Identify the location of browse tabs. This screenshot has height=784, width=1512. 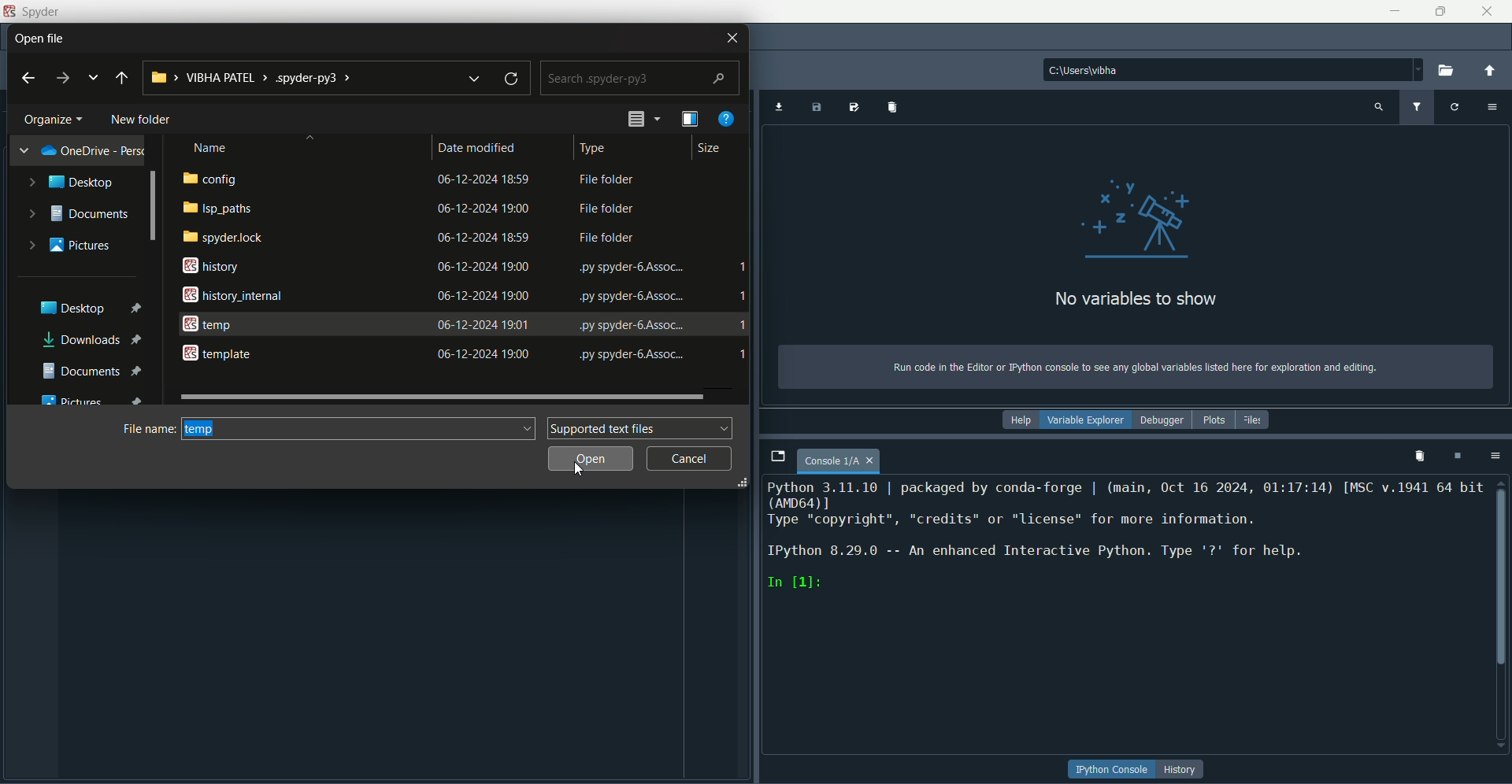
(778, 456).